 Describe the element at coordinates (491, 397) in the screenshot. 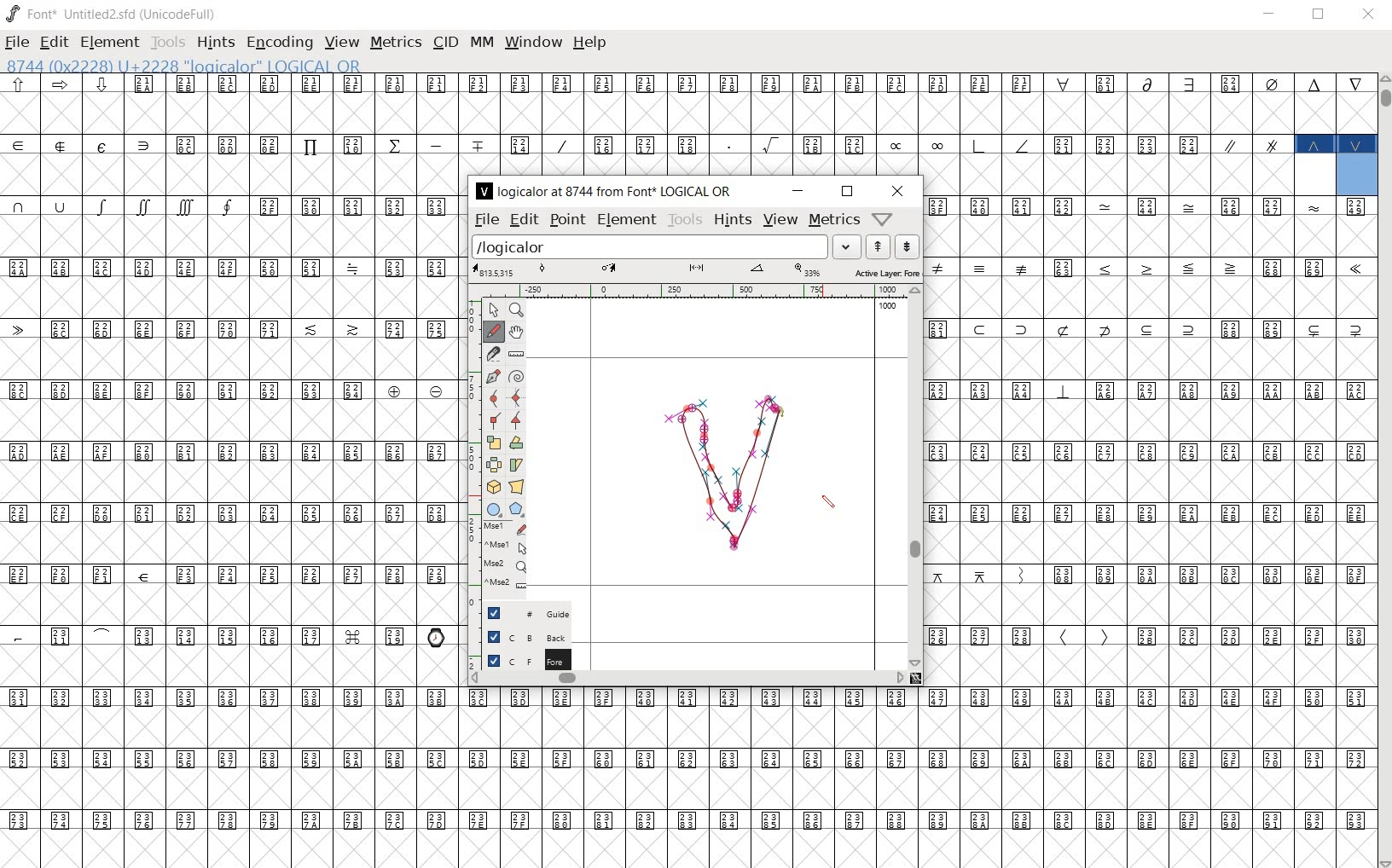

I see `add a curve point always either horizontal or vertical` at that location.